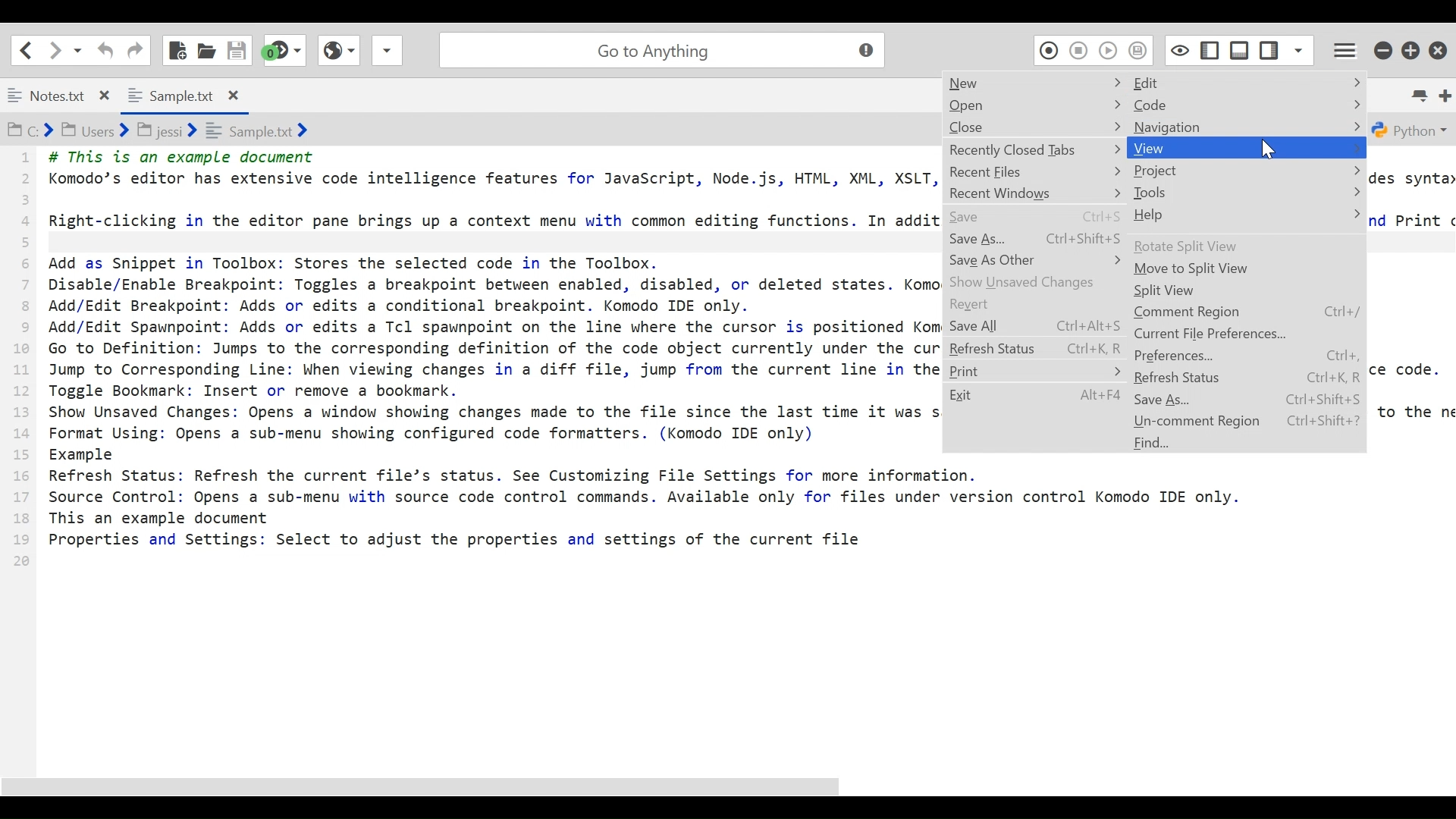 The image size is (1456, 819). Describe the element at coordinates (1037, 216) in the screenshot. I see `Save CTRL+S` at that location.